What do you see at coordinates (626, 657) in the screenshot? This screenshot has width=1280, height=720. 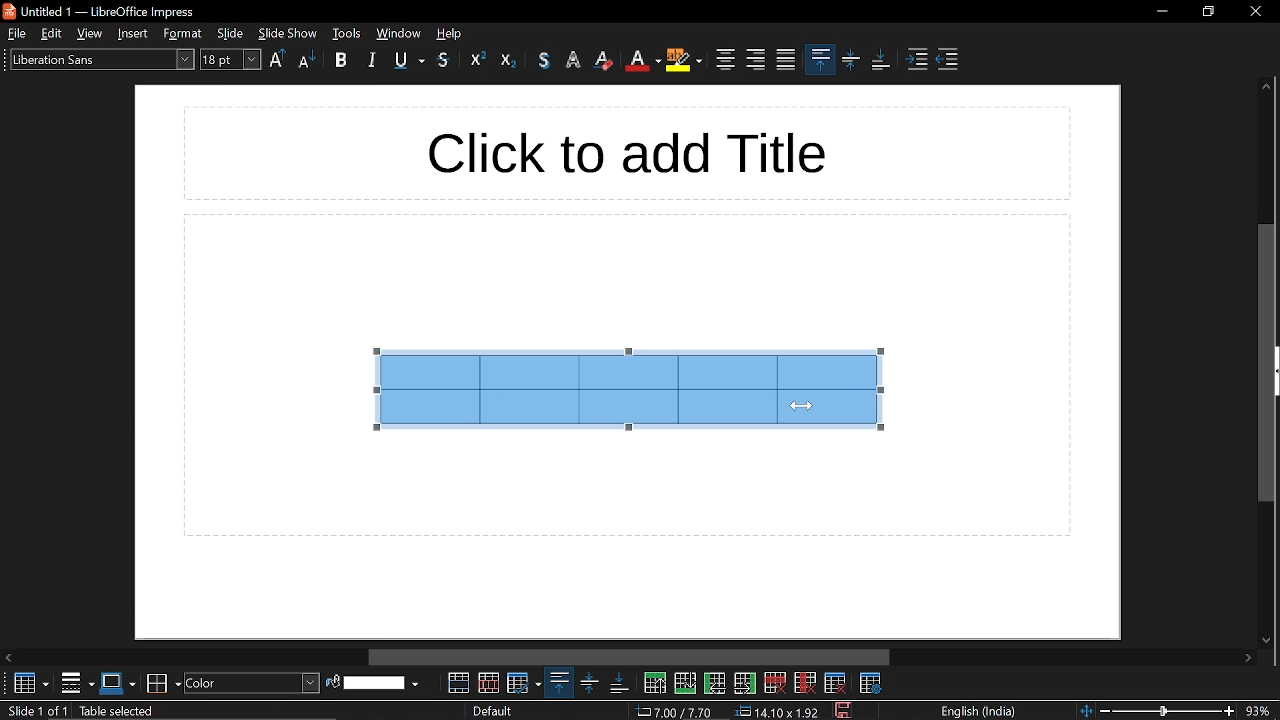 I see `horizontal scrollbar` at bounding box center [626, 657].